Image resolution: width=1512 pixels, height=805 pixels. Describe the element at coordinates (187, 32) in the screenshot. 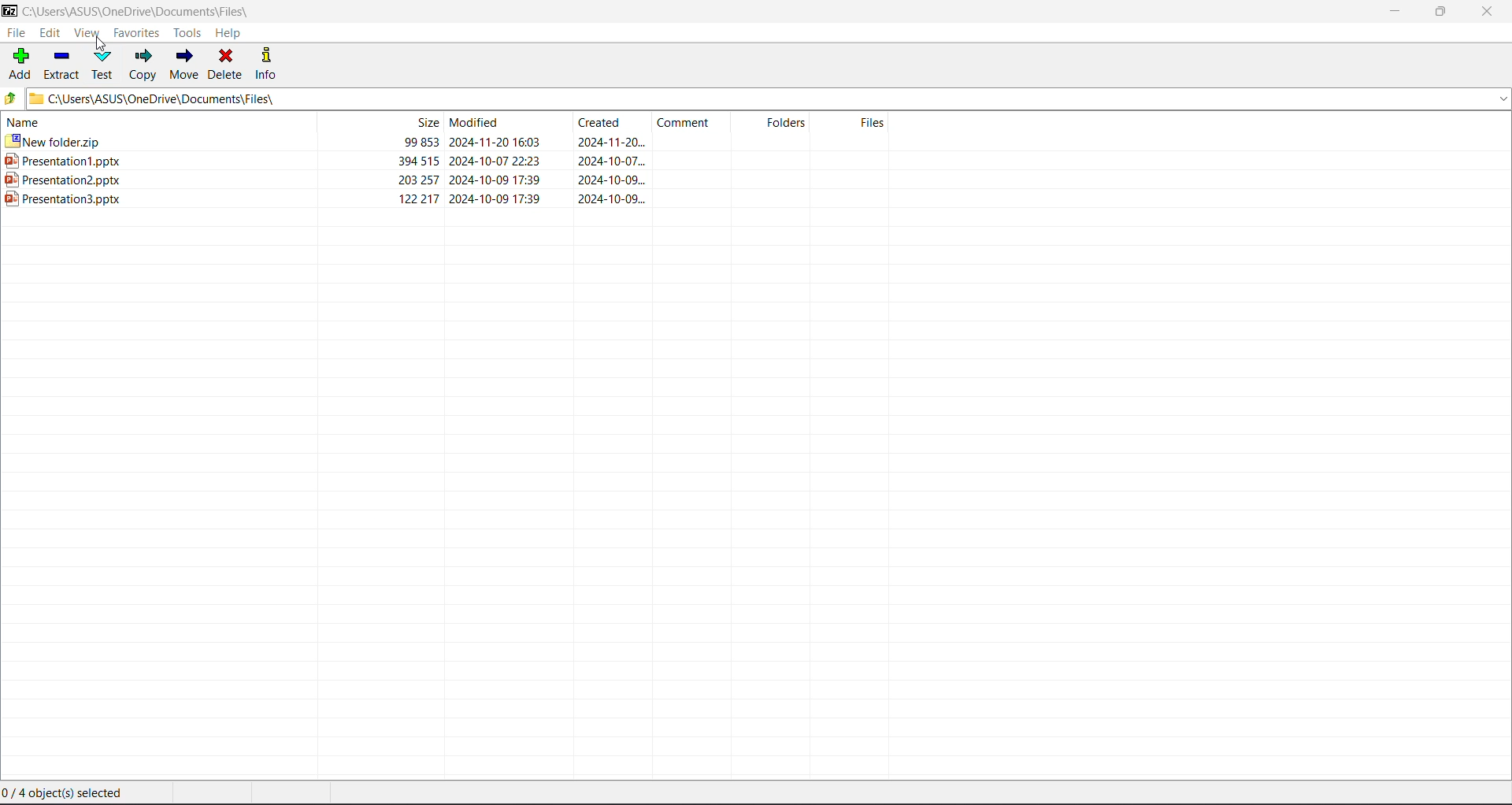

I see `Tools` at that location.